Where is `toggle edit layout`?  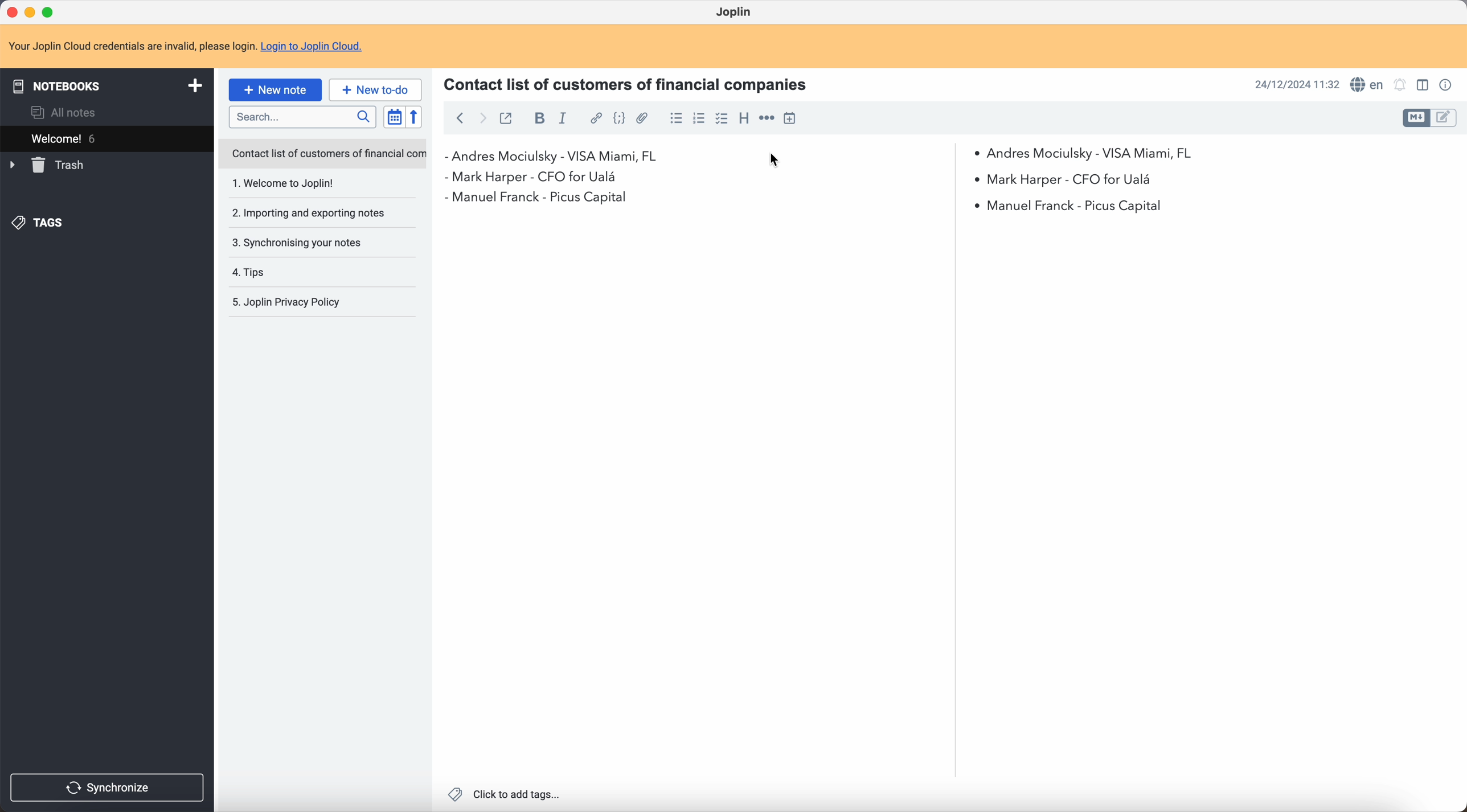
toggle edit layout is located at coordinates (1422, 84).